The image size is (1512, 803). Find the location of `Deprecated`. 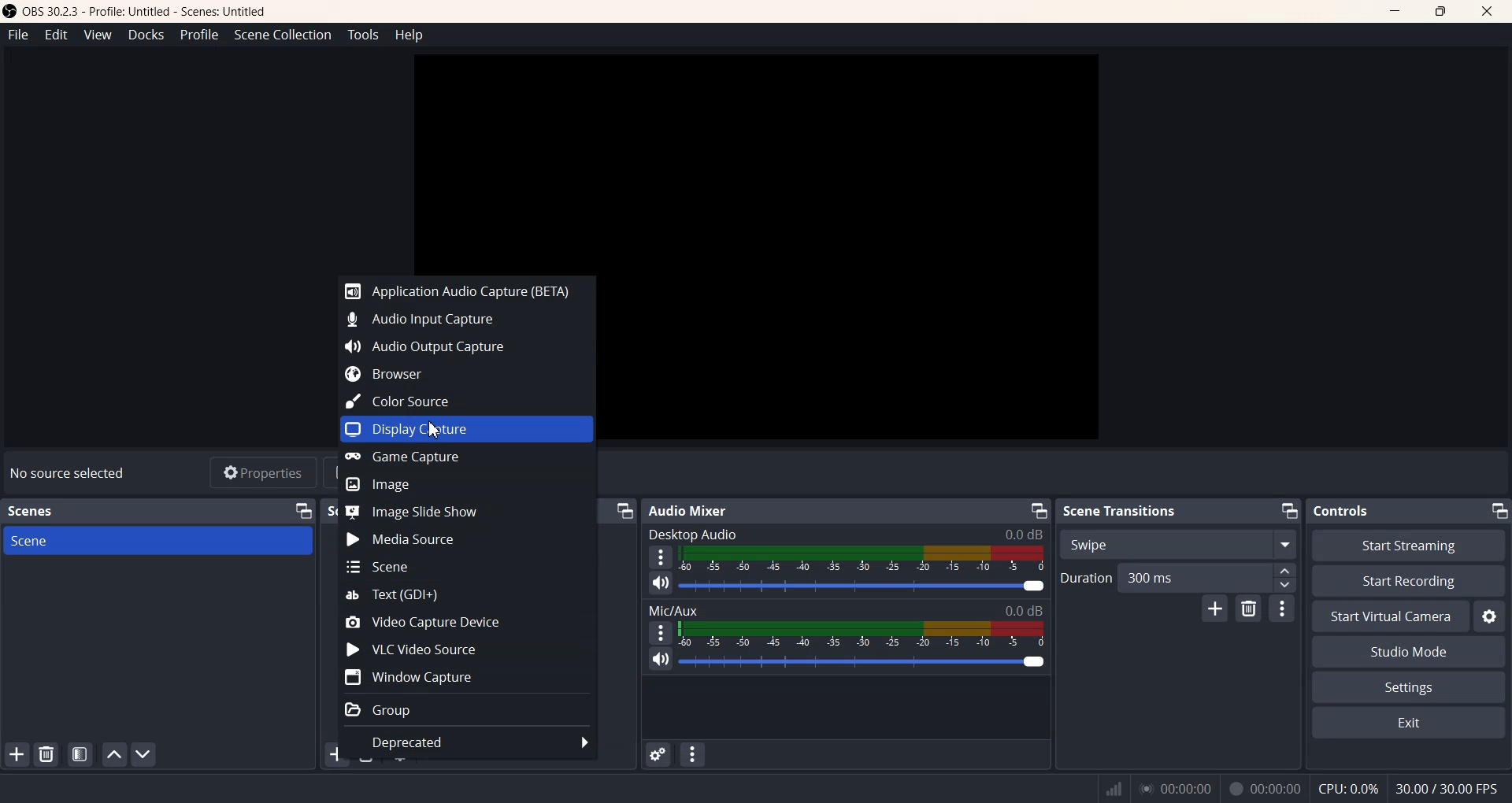

Deprecated is located at coordinates (469, 742).